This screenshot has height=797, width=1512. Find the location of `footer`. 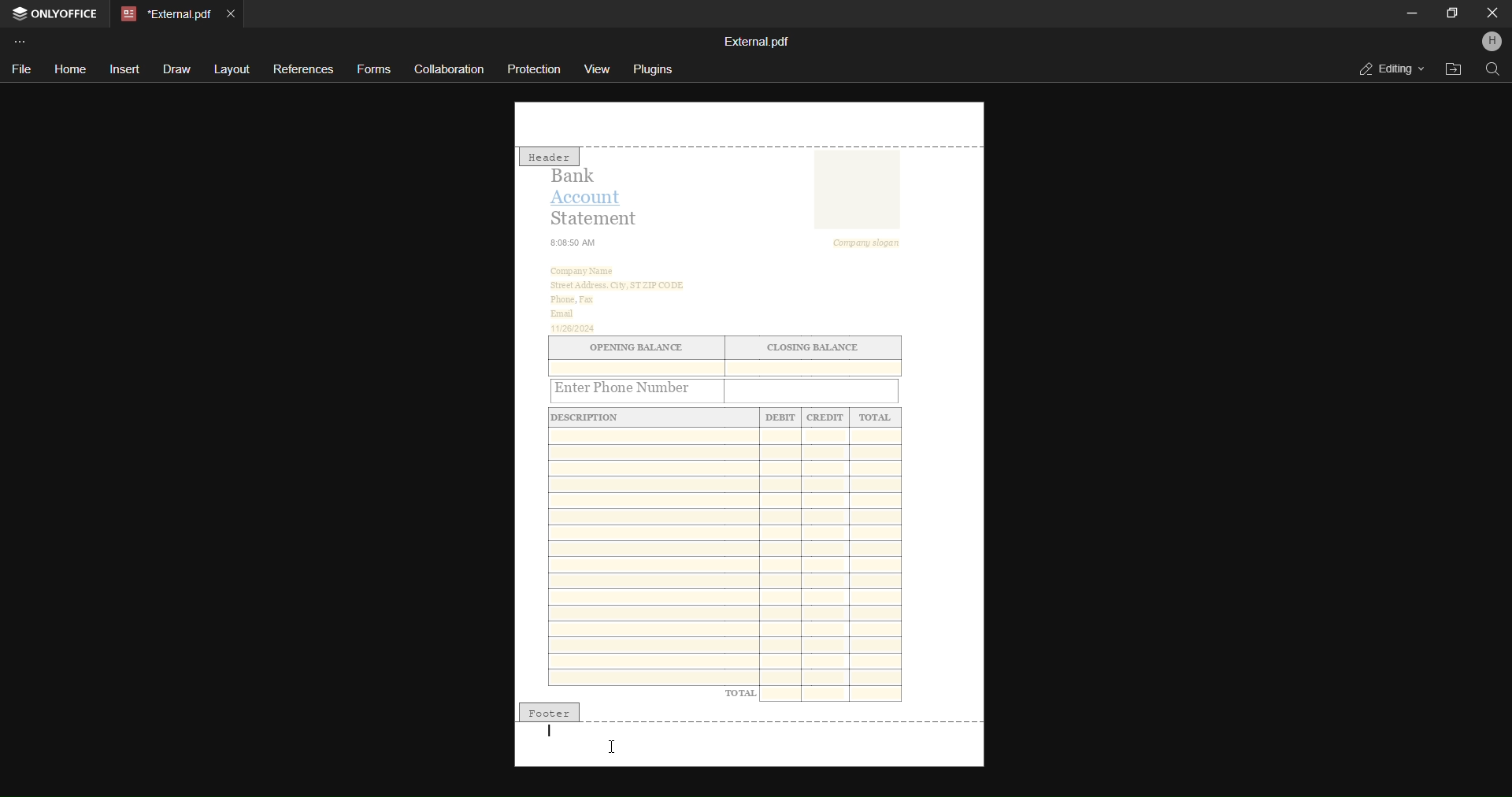

footer is located at coordinates (549, 710).